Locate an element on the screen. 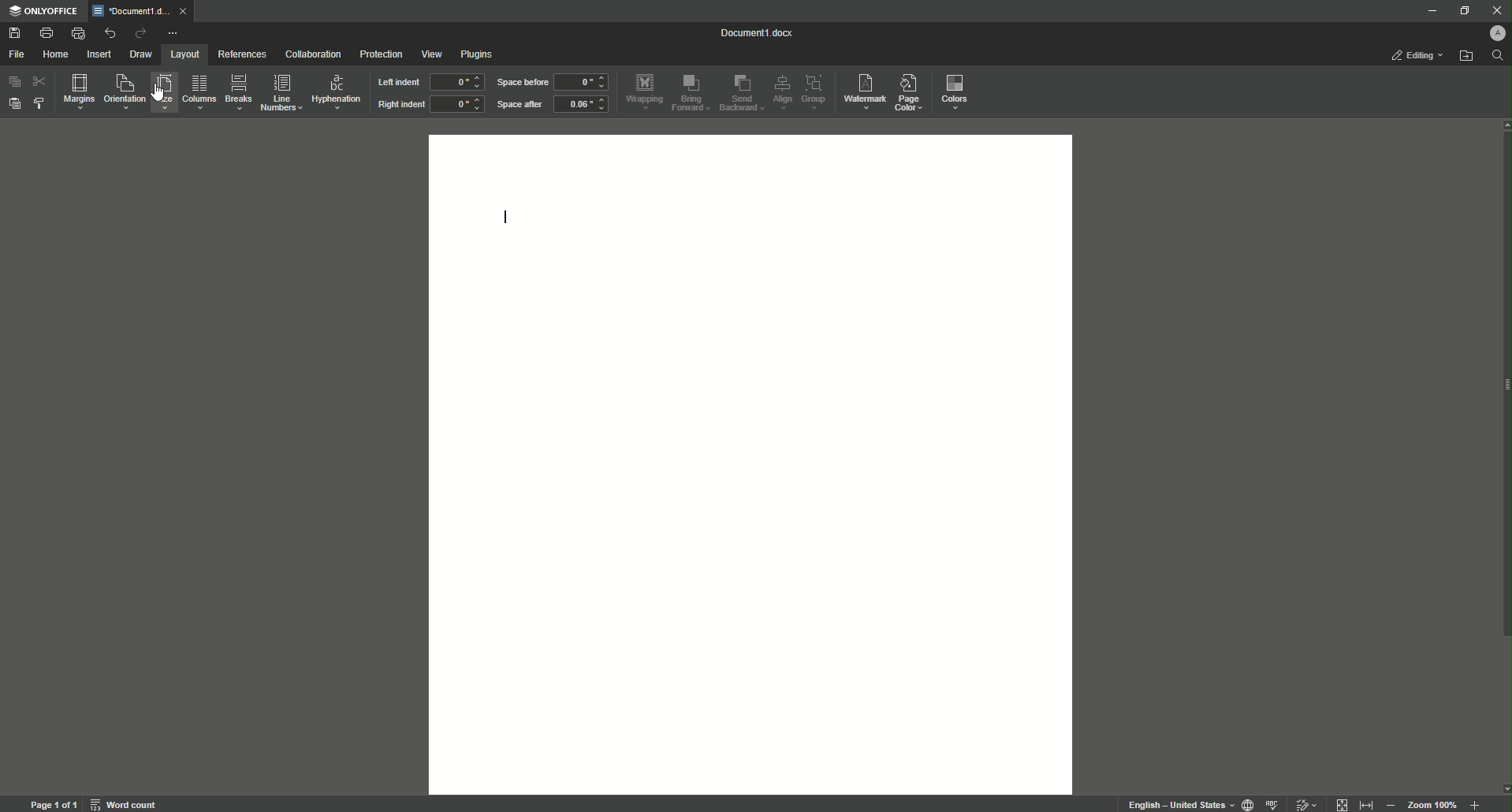 Image resolution: width=1512 pixels, height=812 pixels. Quick print is located at coordinates (76, 32).